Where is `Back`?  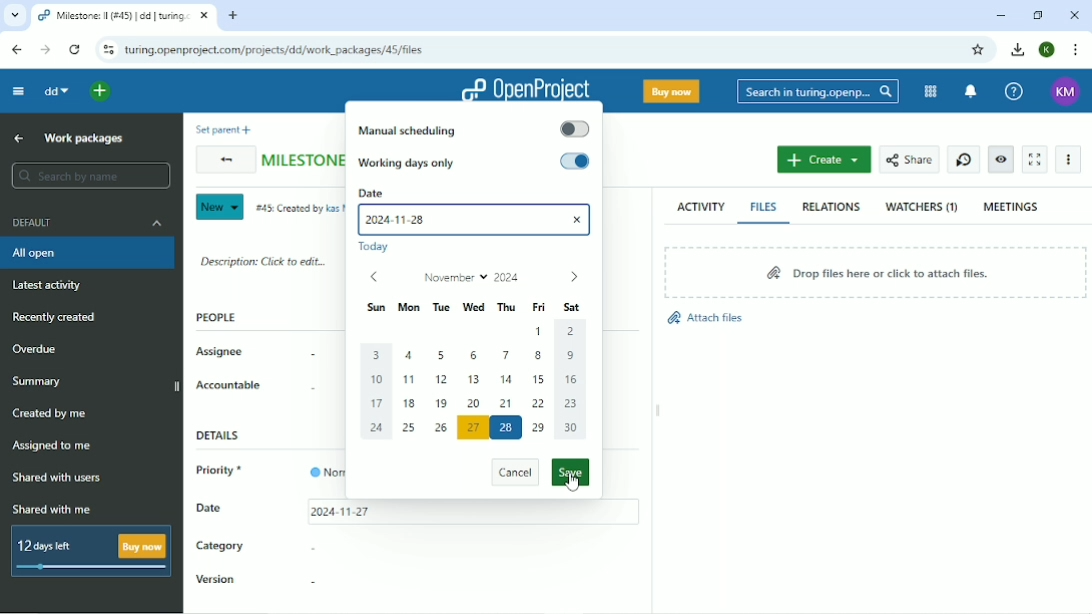 Back is located at coordinates (223, 161).